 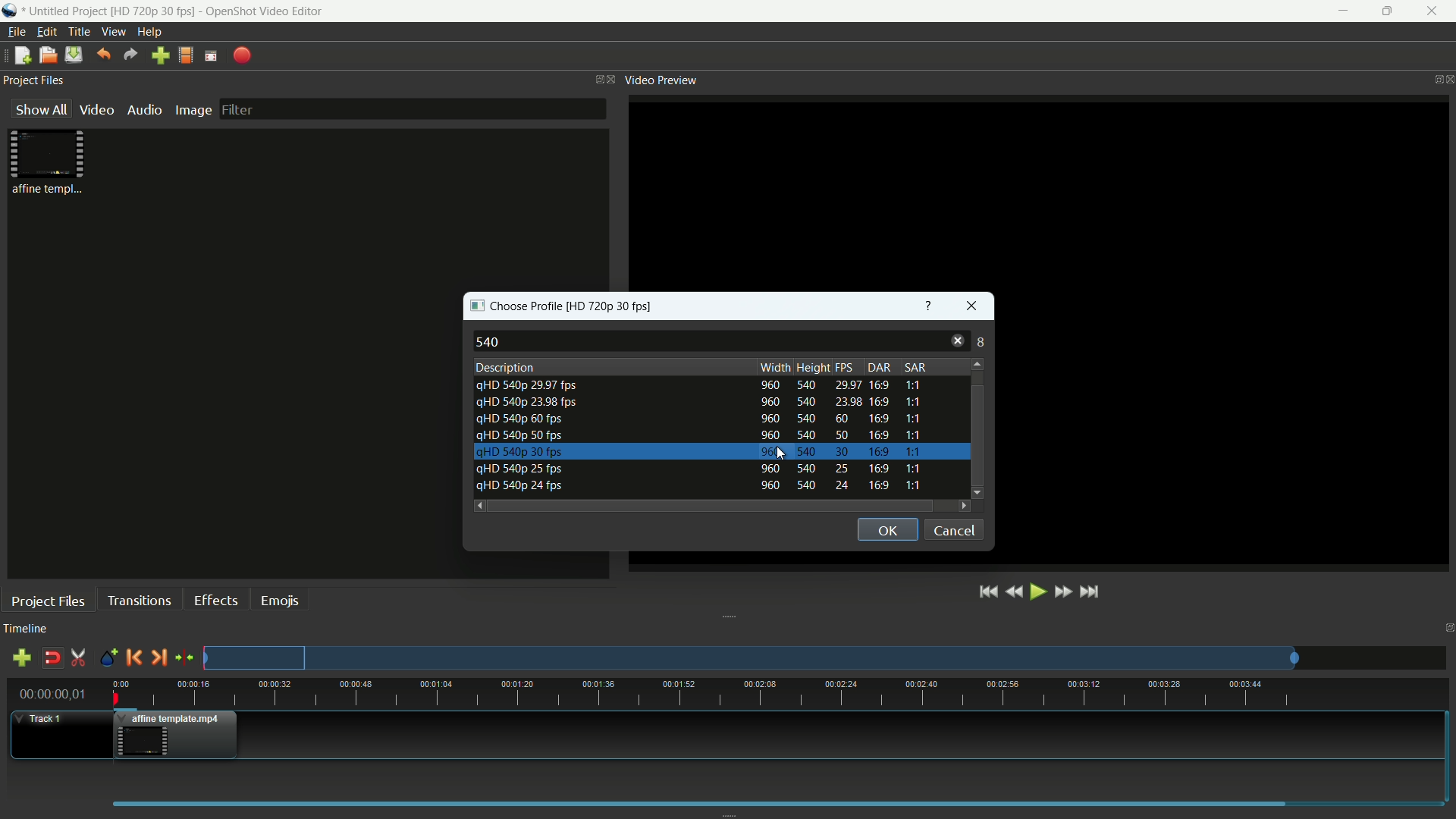 What do you see at coordinates (752, 657) in the screenshot?
I see `track preview` at bounding box center [752, 657].